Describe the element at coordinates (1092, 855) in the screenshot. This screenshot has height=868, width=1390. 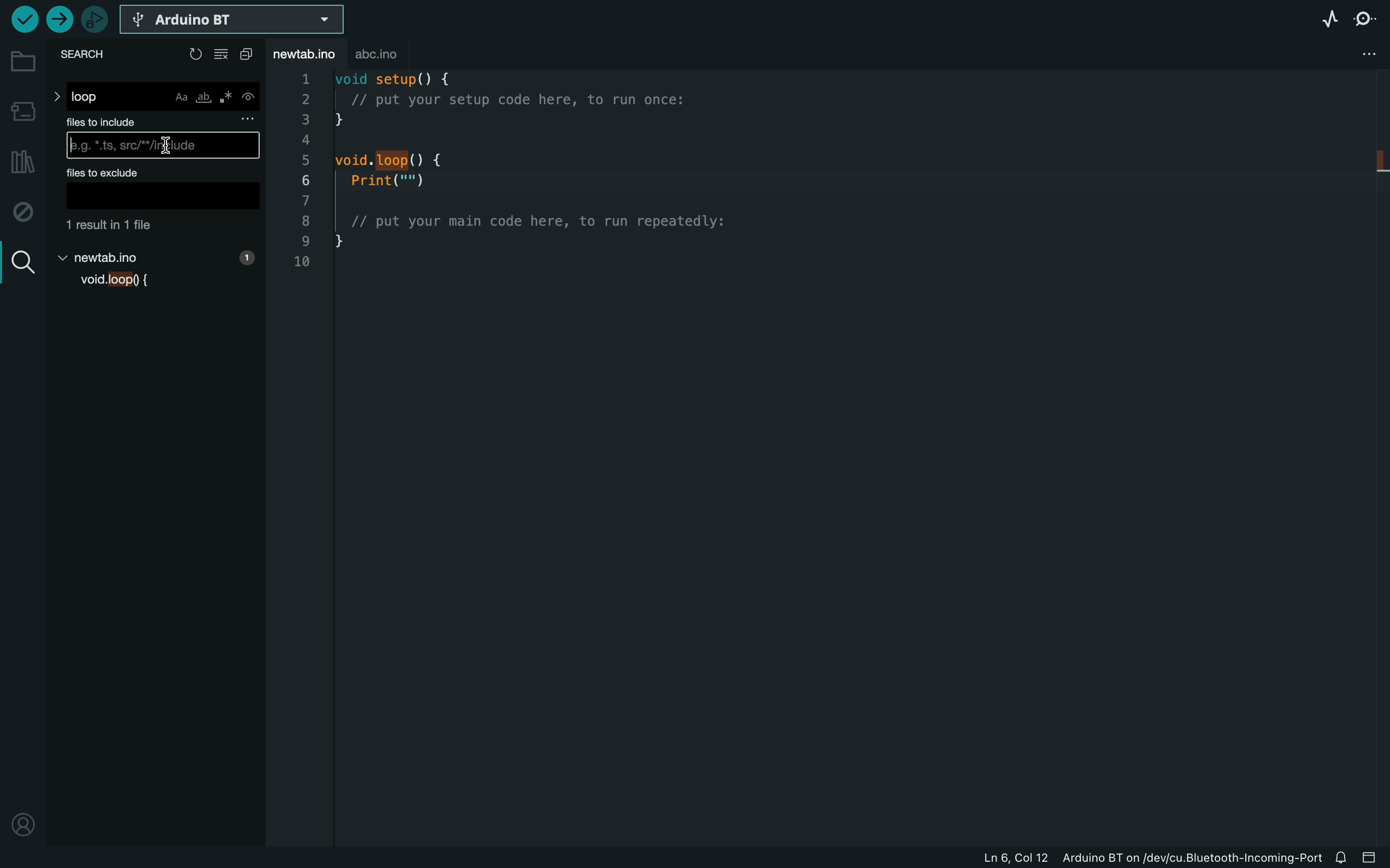
I see `file information` at that location.